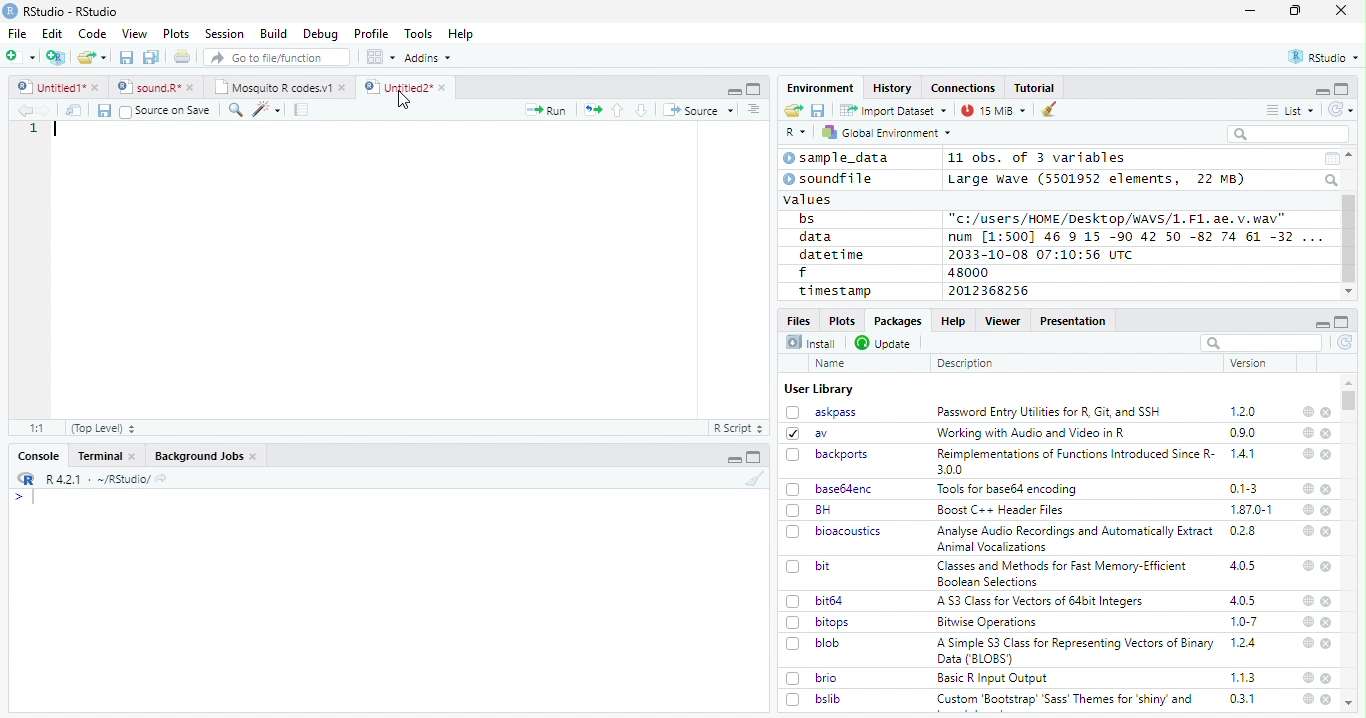 The image size is (1366, 718). What do you see at coordinates (1074, 461) in the screenshot?
I see `Reimplementations of Functions Introduced Since R-
300` at bounding box center [1074, 461].